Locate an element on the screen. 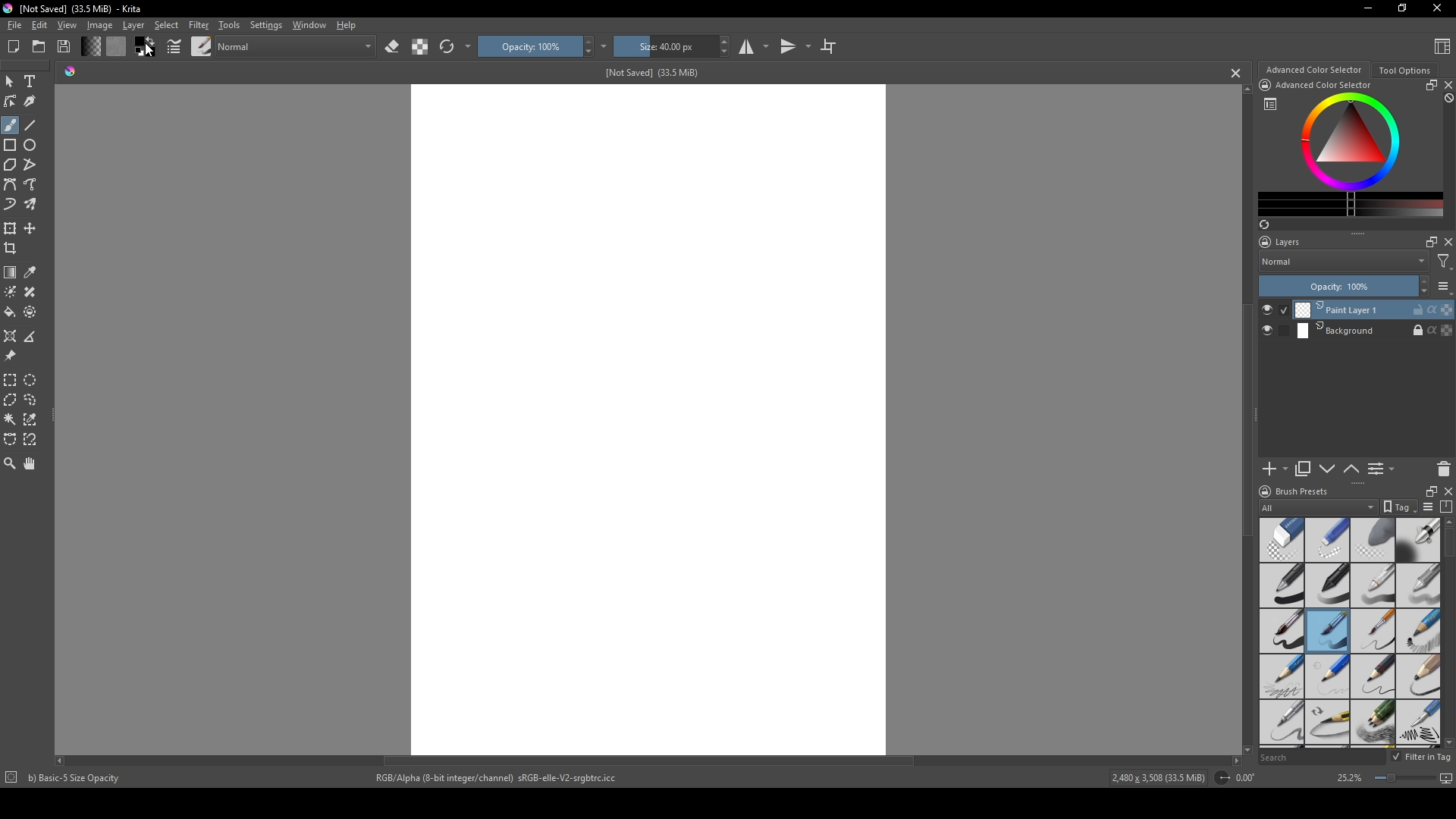  colorize mask is located at coordinates (11, 291).